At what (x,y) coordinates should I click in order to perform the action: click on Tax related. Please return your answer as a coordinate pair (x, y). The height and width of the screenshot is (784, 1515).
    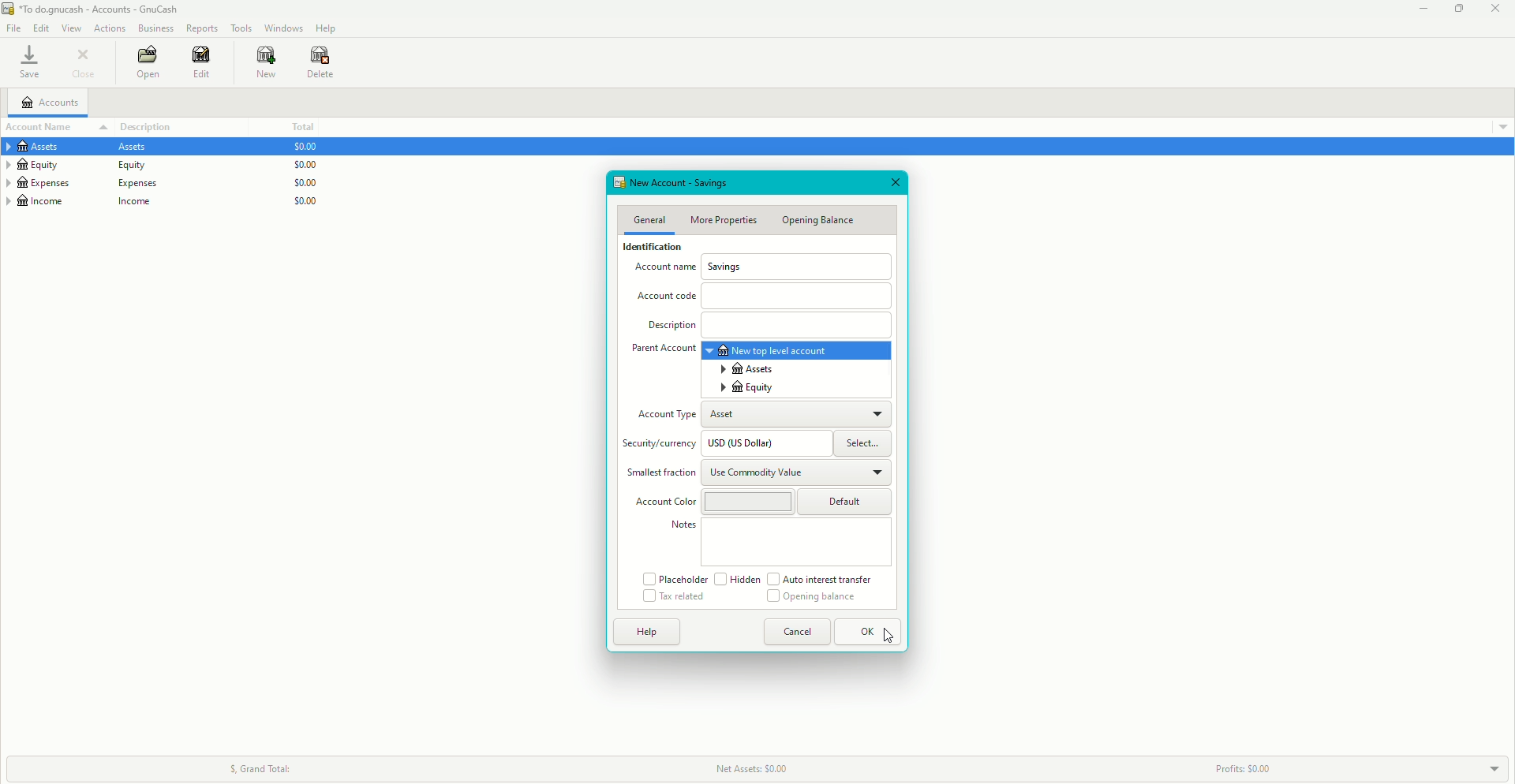
    Looking at the image, I should click on (675, 598).